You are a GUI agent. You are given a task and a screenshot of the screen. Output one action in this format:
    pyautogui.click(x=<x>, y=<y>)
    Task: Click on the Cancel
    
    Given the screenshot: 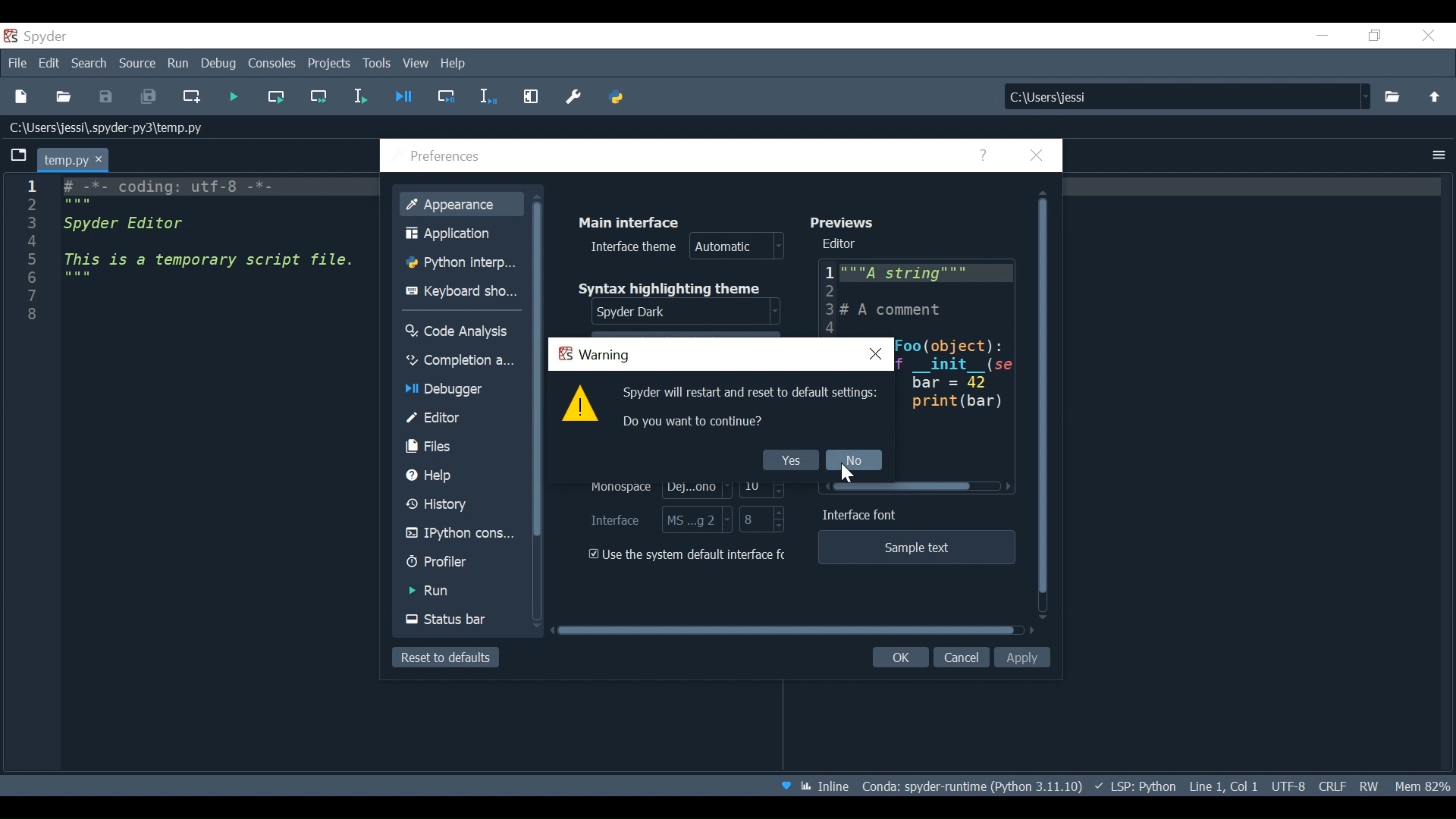 What is the action you would take?
    pyautogui.click(x=961, y=655)
    